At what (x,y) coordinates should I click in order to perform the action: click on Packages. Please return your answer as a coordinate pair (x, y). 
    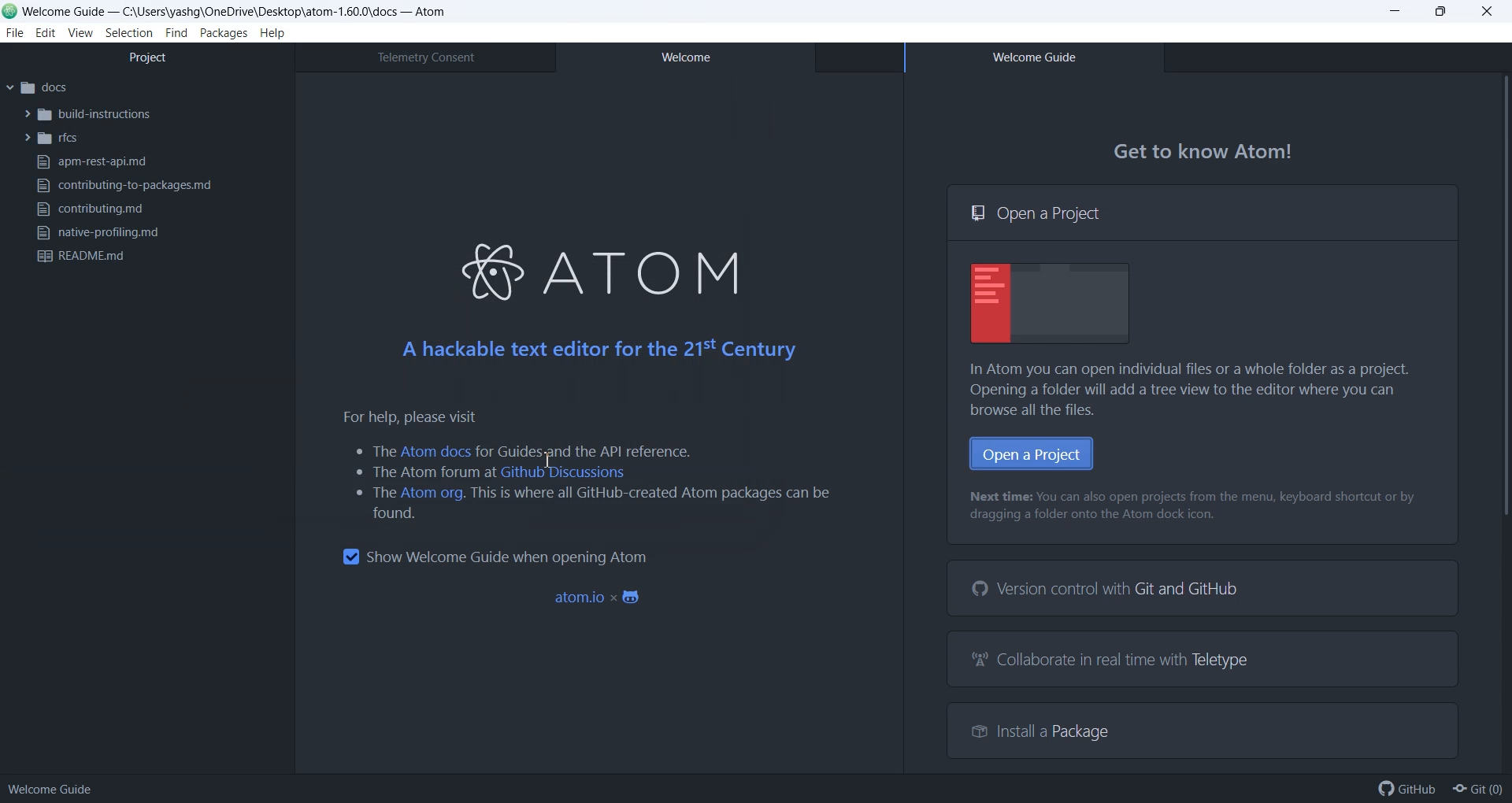
    Looking at the image, I should click on (224, 32).